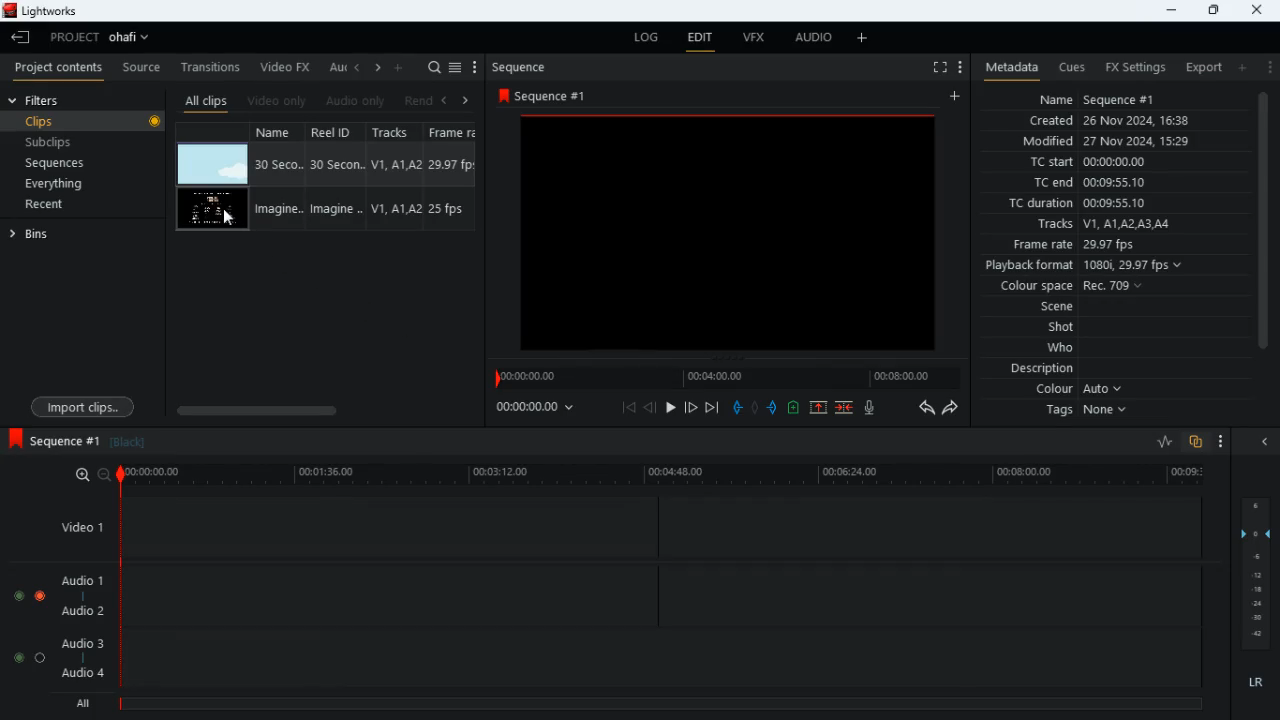 This screenshot has height=720, width=1280. Describe the element at coordinates (1063, 329) in the screenshot. I see `shot` at that location.